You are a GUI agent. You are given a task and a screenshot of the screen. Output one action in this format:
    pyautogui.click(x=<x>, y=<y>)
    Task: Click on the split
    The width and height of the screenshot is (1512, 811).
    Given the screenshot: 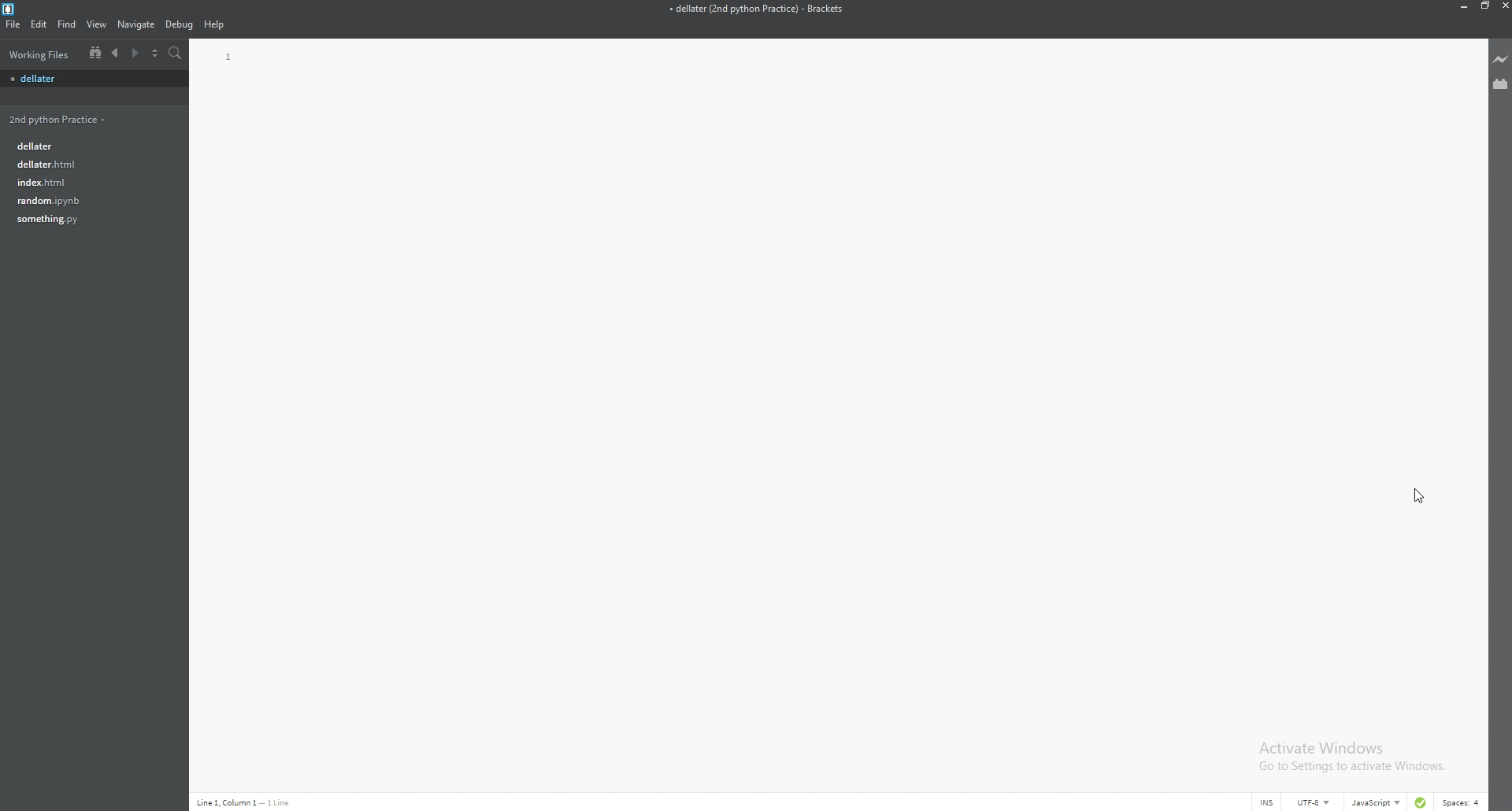 What is the action you would take?
    pyautogui.click(x=156, y=54)
    